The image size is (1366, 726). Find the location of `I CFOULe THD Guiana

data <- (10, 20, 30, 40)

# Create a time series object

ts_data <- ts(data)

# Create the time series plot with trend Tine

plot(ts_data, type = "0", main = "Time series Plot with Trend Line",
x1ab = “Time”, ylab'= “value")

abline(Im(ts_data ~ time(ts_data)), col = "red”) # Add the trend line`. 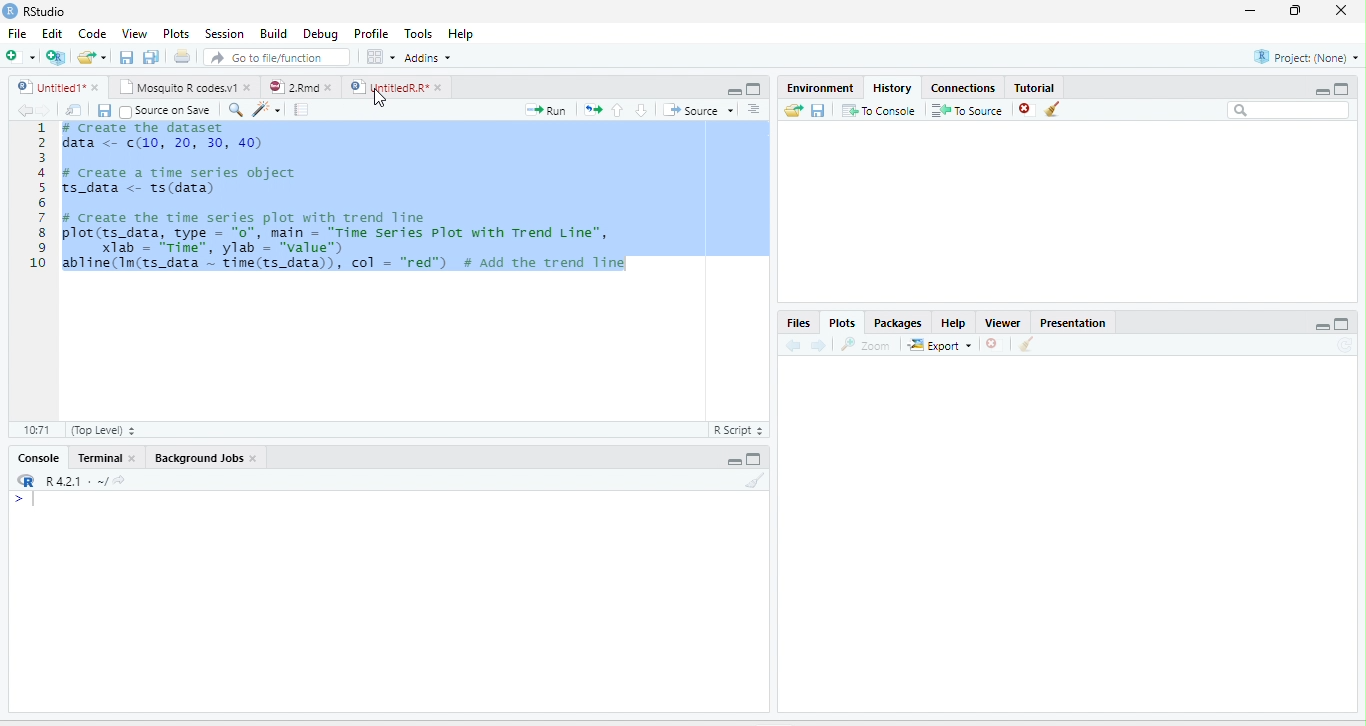

I CFOULe THD Guiana

data <- (10, 20, 30, 40)

# Create a time series object

ts_data <- ts(data)

# Create the time series plot with trend Tine

plot(ts_data, type = "0", main = "Time series Plot with Trend Line",
x1ab = “Time”, ylab'= “value")

abline(Im(ts_data ~ time(ts_data)), col = "red”) # Add the trend line is located at coordinates (347, 199).